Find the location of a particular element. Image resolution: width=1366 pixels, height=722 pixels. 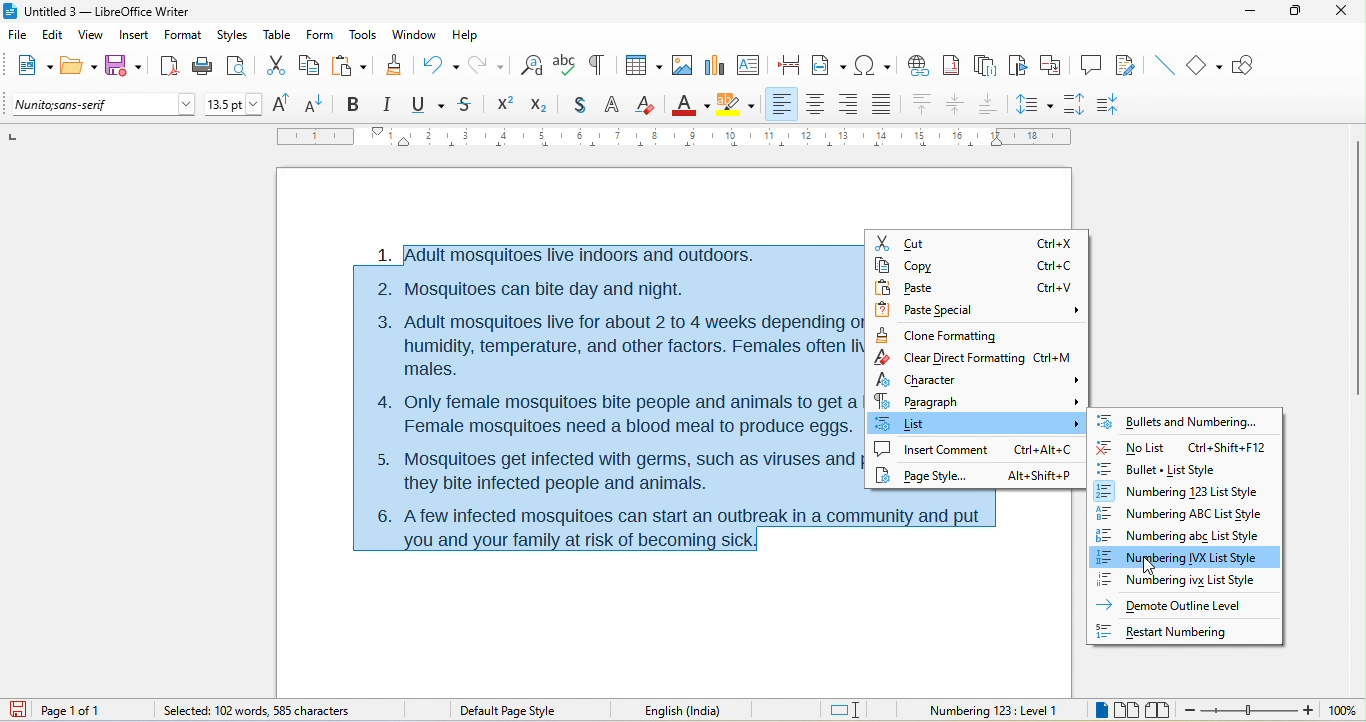

numbering abc list style is located at coordinates (1192, 536).